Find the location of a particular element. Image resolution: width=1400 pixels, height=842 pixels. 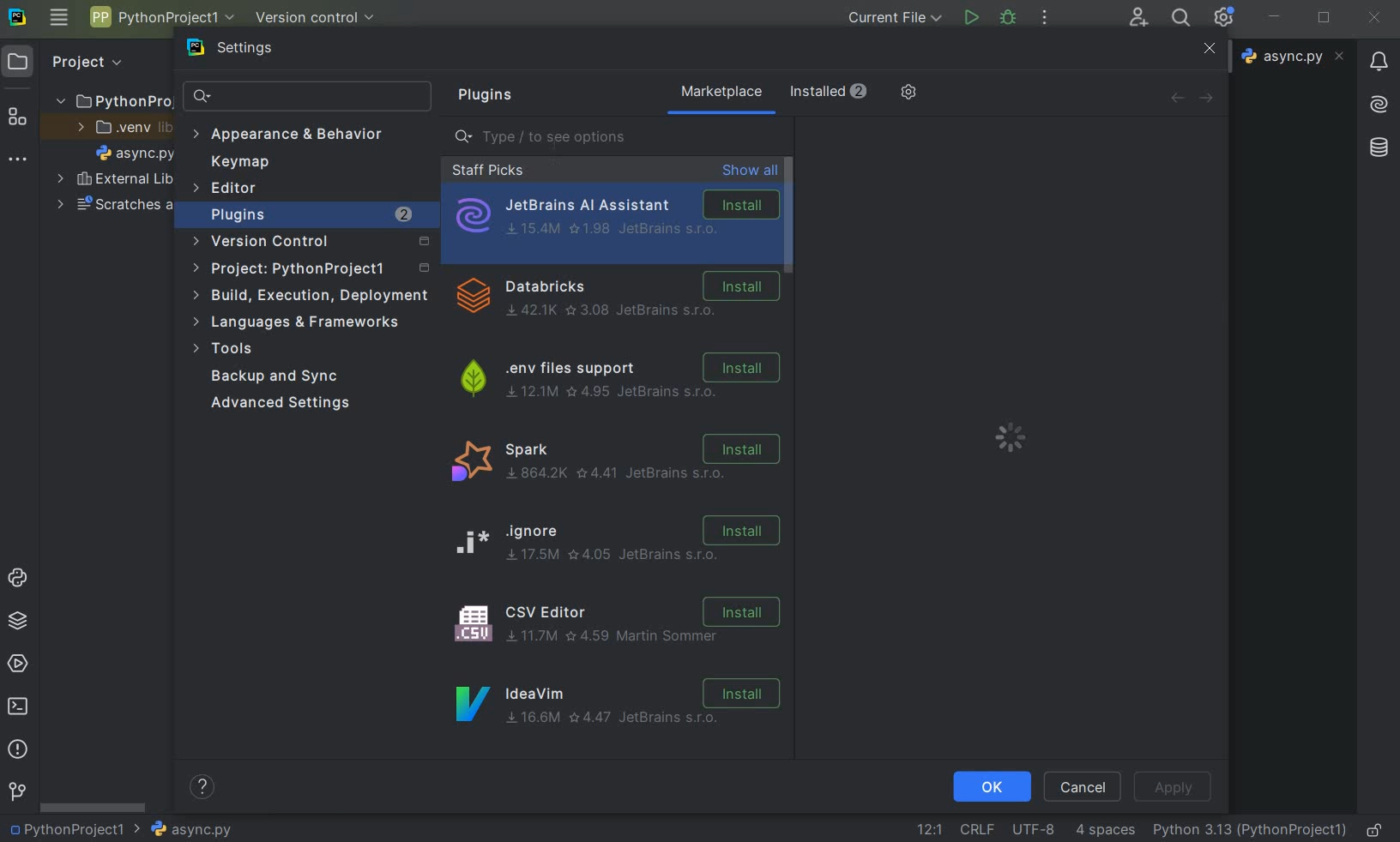

staff picks is located at coordinates (490, 171).